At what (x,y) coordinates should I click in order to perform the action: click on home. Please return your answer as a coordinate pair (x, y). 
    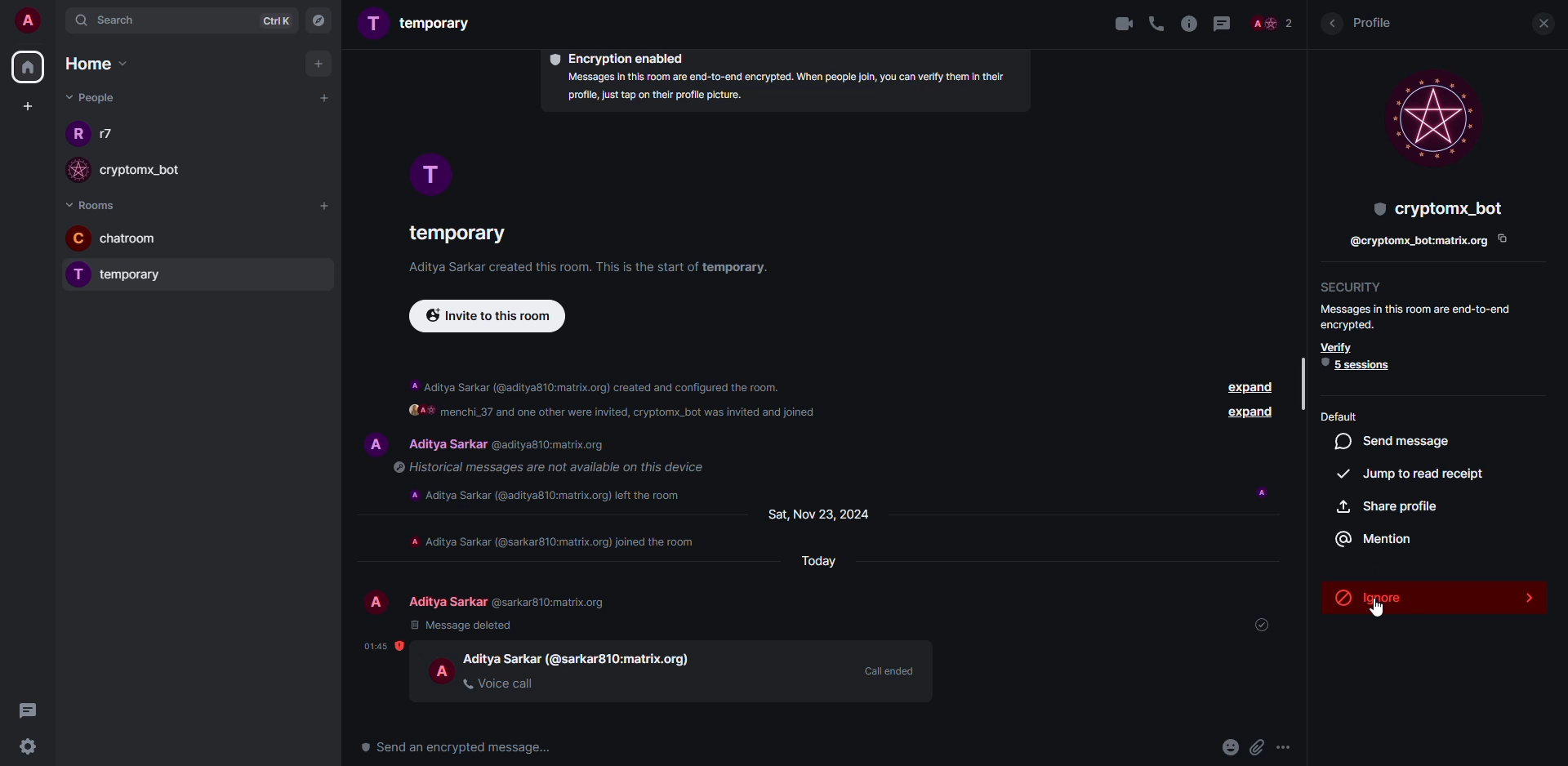
    Looking at the image, I should click on (29, 67).